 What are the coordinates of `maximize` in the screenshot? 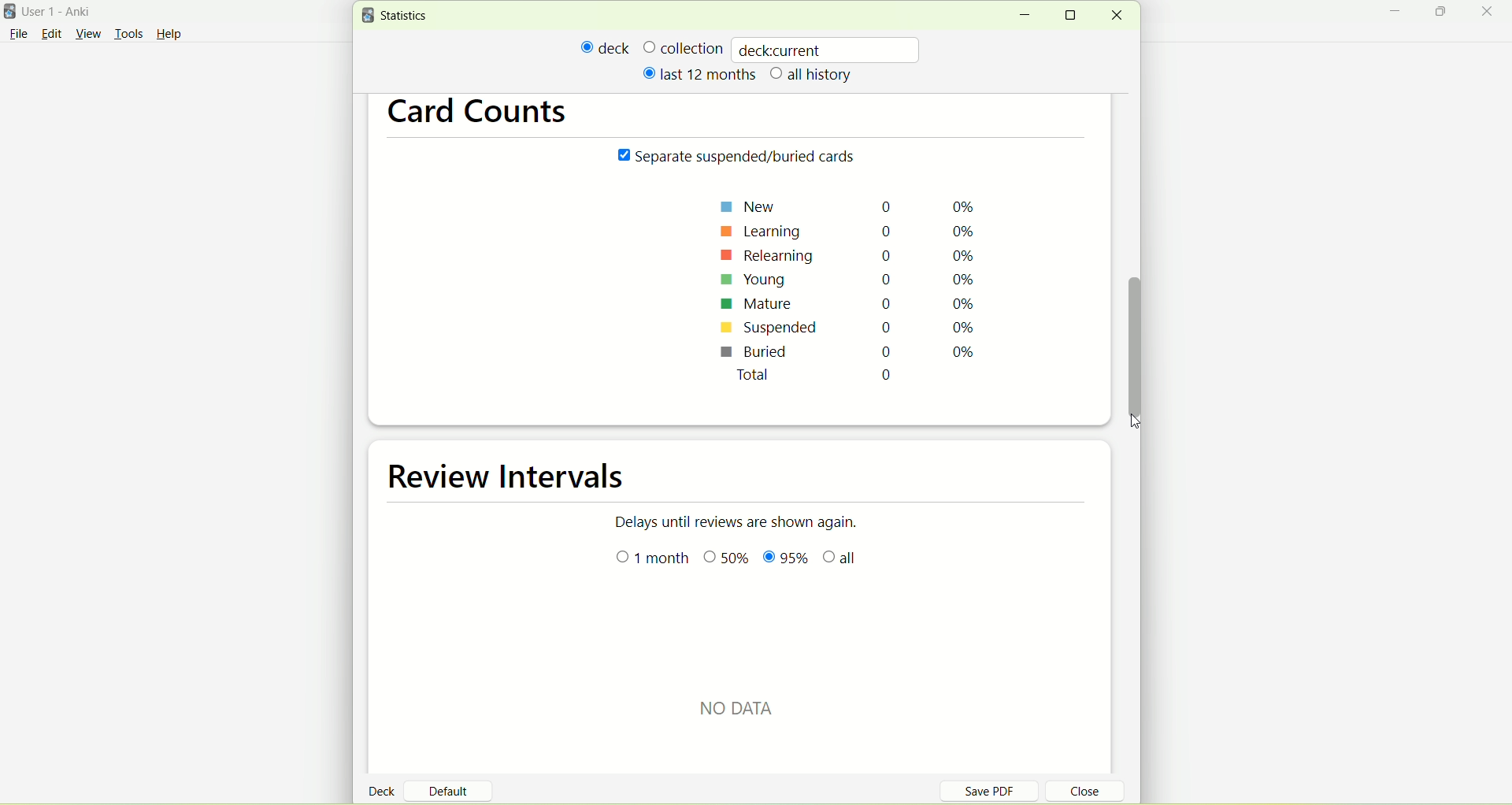 It's located at (1443, 14).